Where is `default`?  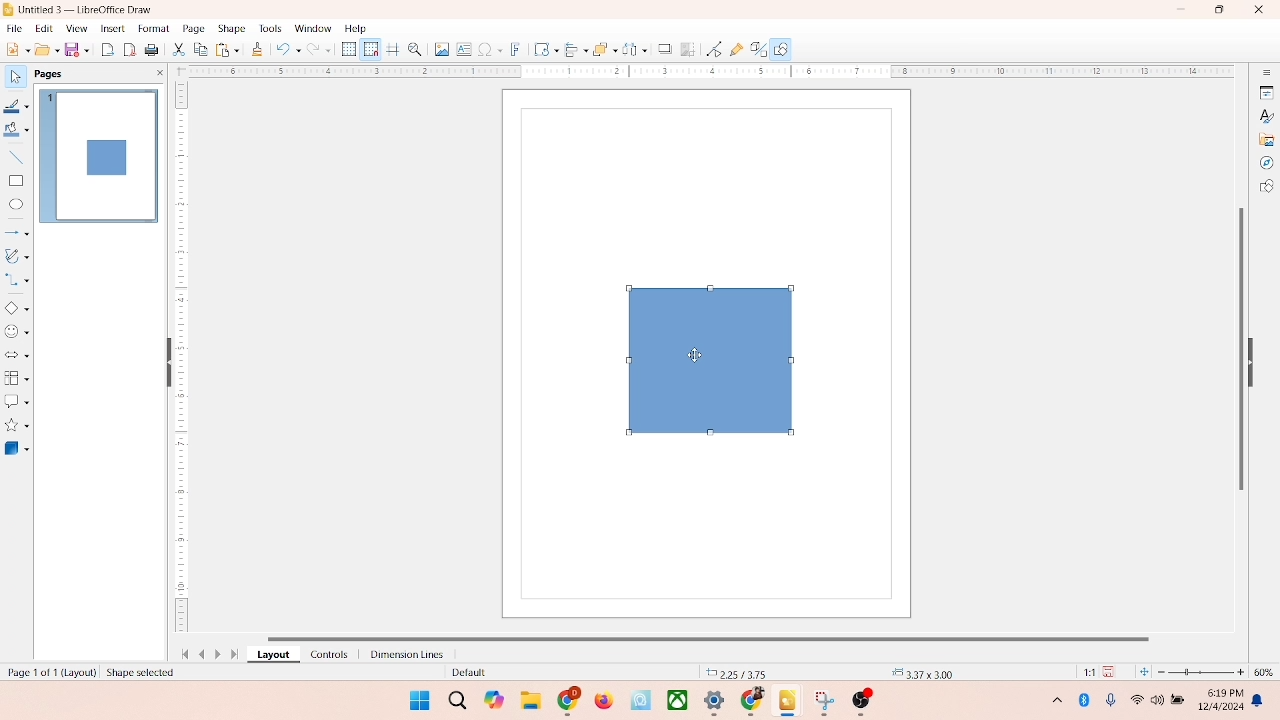 default is located at coordinates (465, 673).